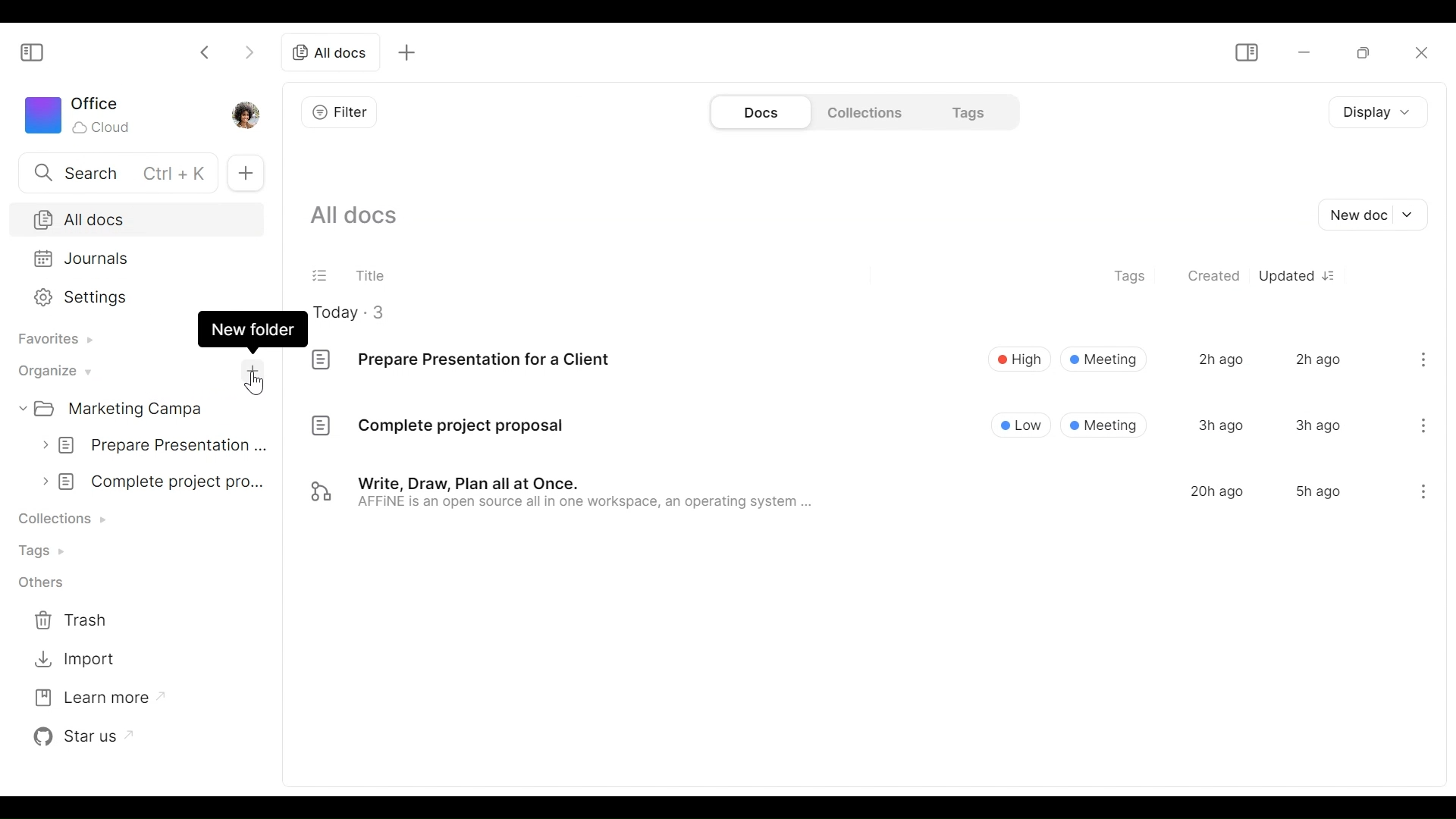 This screenshot has height=819, width=1456. I want to click on  Prepare Presentation for a Client, so click(466, 362).